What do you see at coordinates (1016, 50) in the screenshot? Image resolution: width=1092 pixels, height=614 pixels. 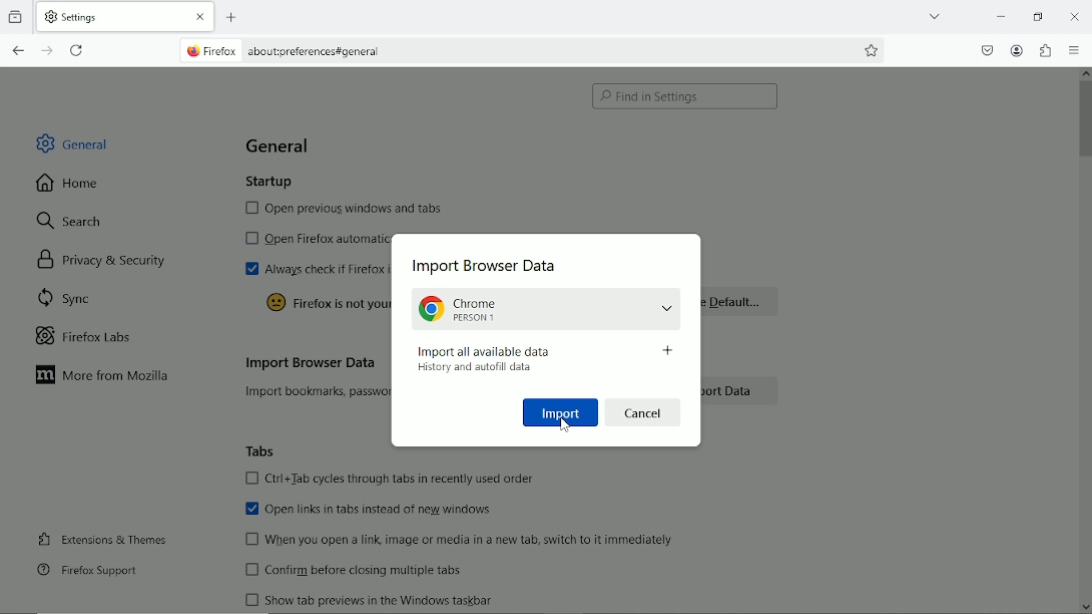 I see `Account` at bounding box center [1016, 50].